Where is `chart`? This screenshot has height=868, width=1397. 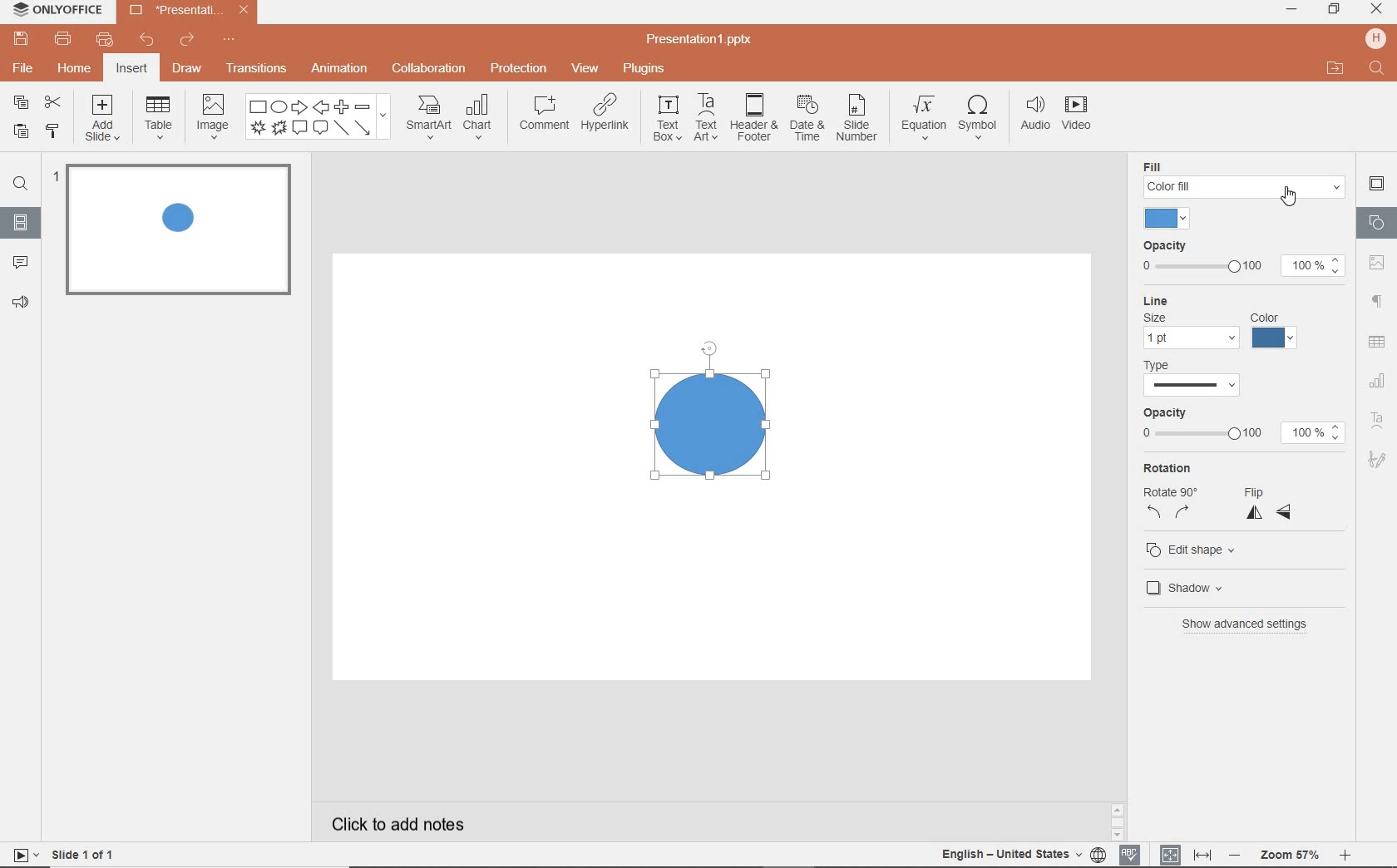 chart is located at coordinates (1376, 382).